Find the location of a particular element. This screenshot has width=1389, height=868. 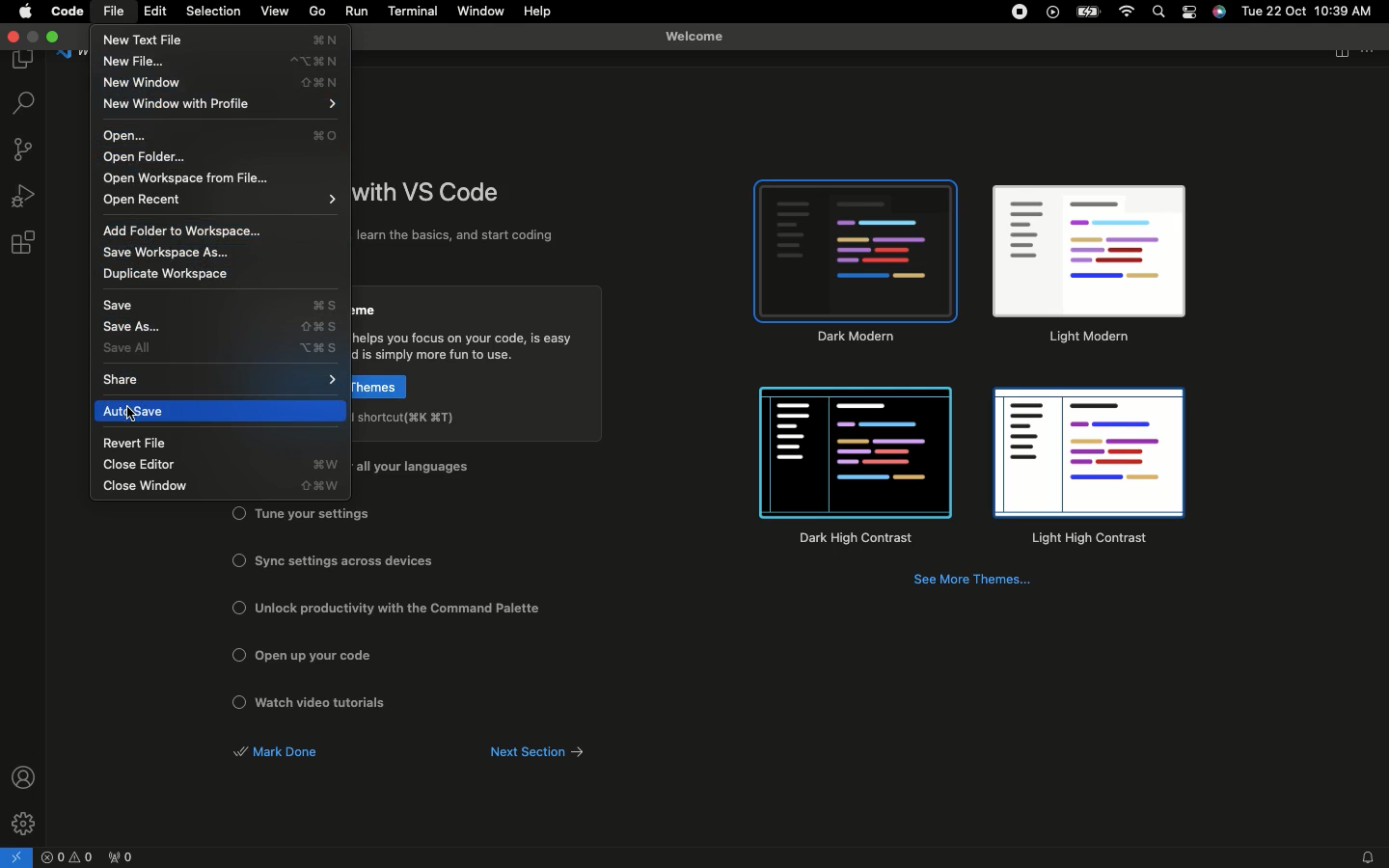

Watch video tutorials is located at coordinates (329, 703).